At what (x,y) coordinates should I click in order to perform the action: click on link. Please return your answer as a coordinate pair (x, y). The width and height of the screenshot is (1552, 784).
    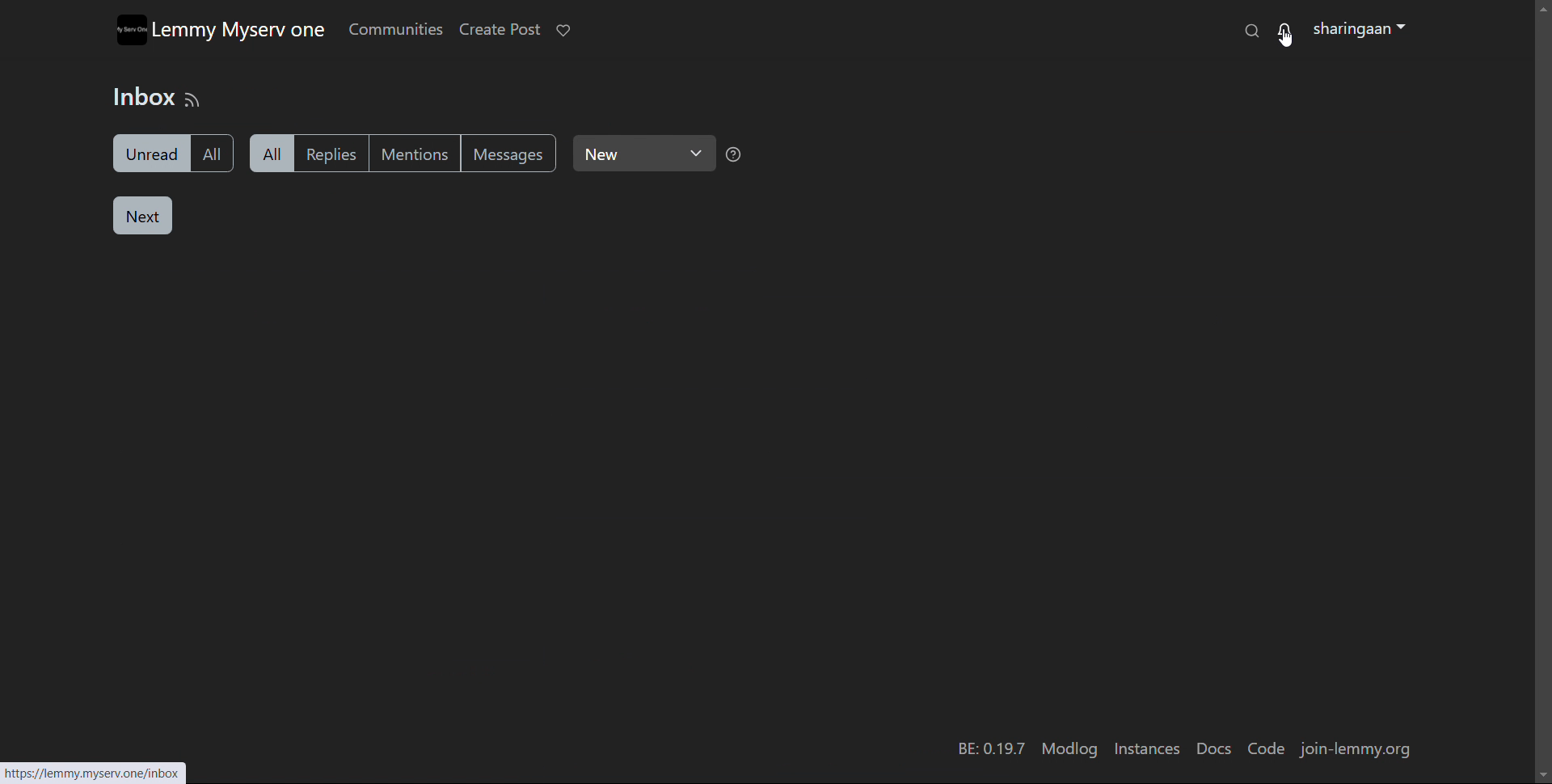
    Looking at the image, I should click on (104, 772).